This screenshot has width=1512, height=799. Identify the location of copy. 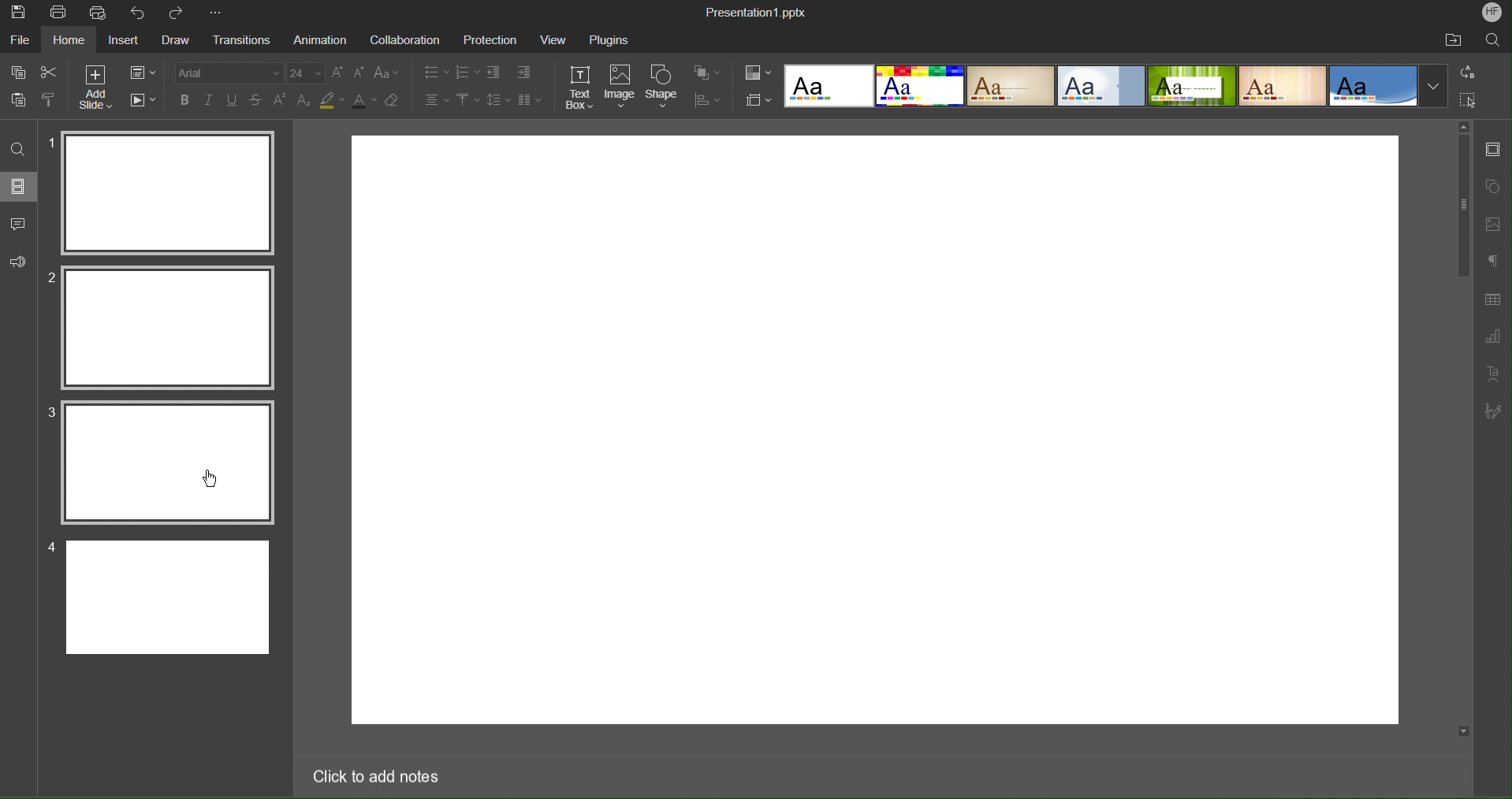
(19, 74).